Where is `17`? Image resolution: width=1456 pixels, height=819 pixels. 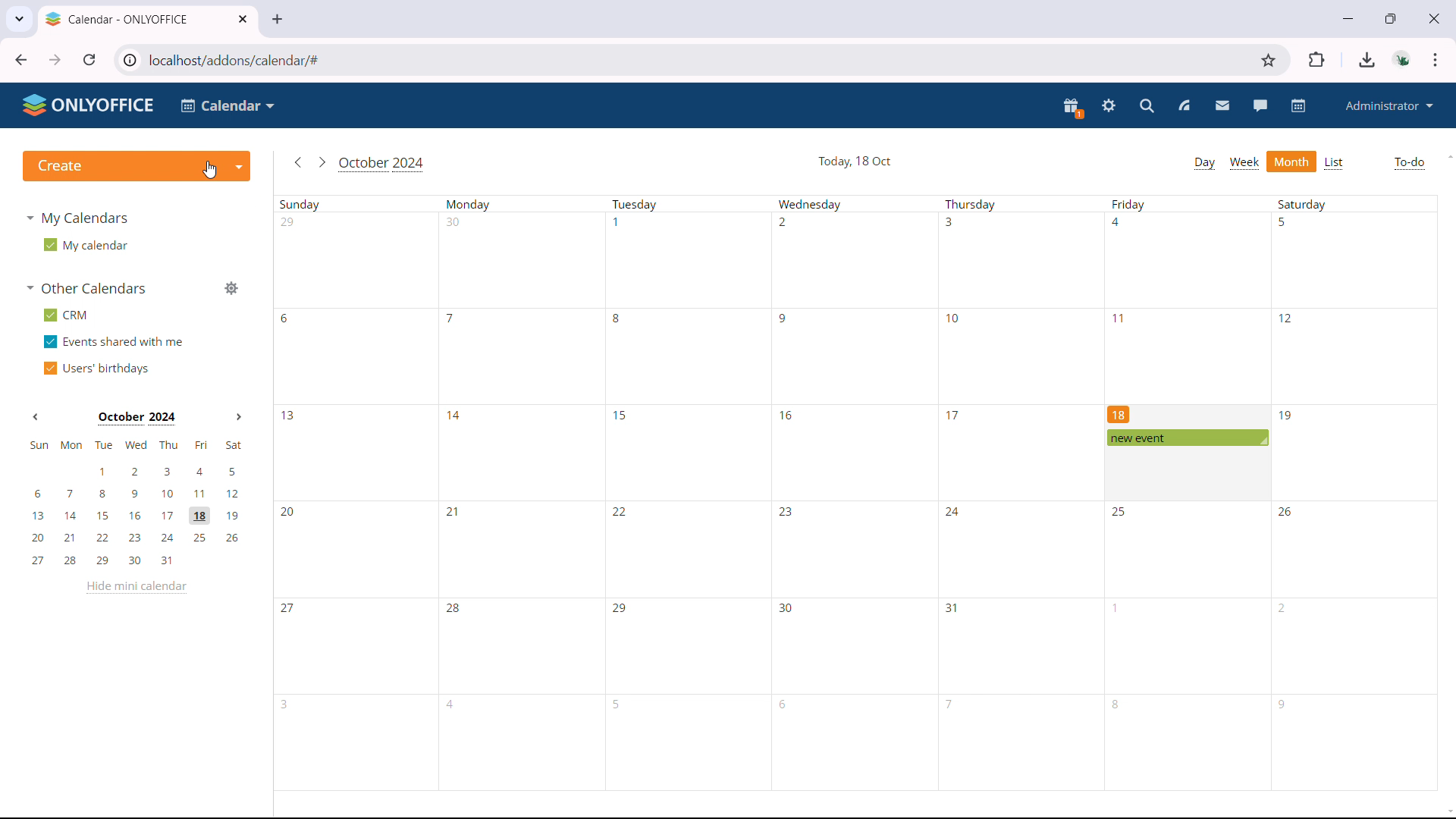 17 is located at coordinates (953, 415).